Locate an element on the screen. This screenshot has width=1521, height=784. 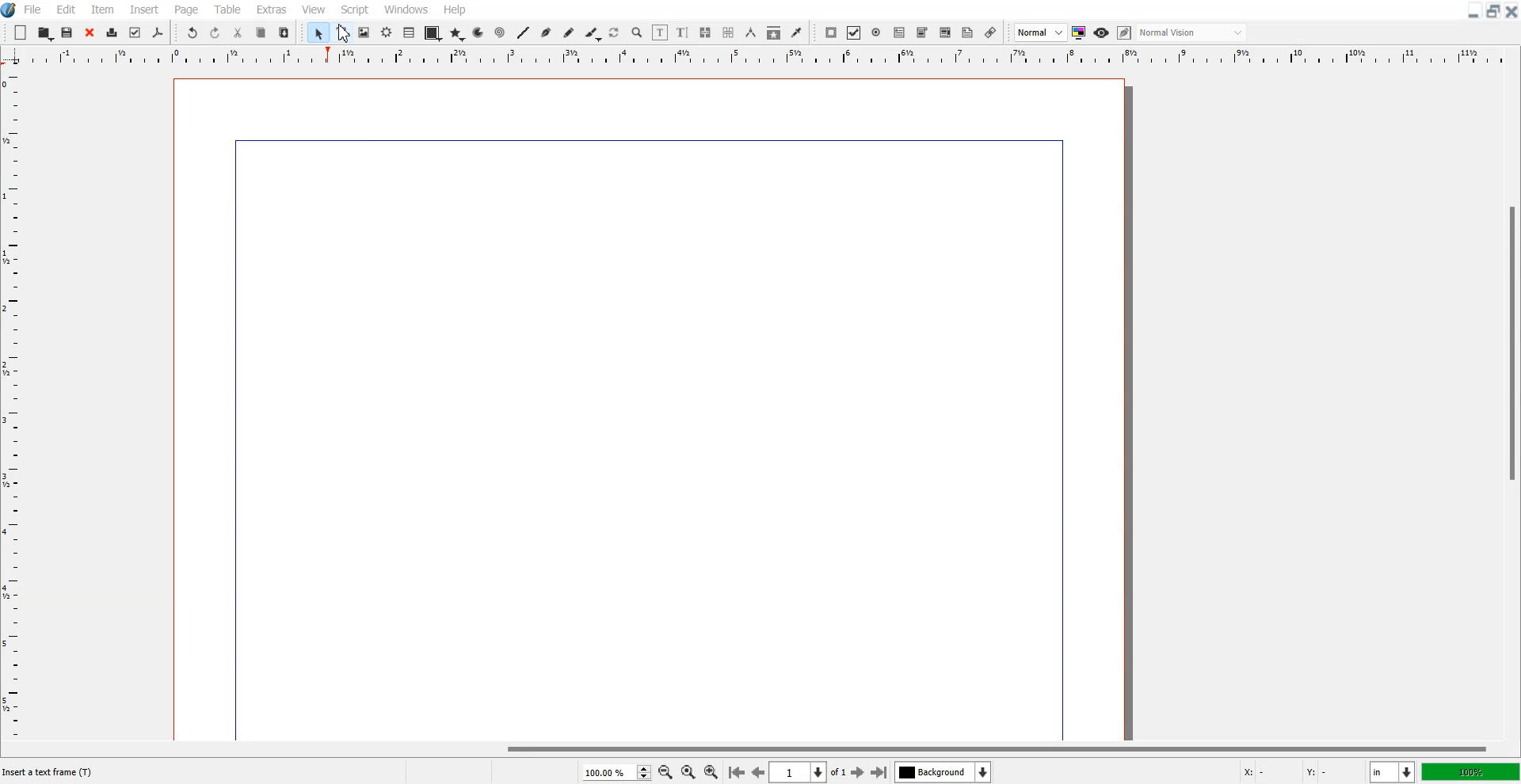
Go to First Page is located at coordinates (736, 771).